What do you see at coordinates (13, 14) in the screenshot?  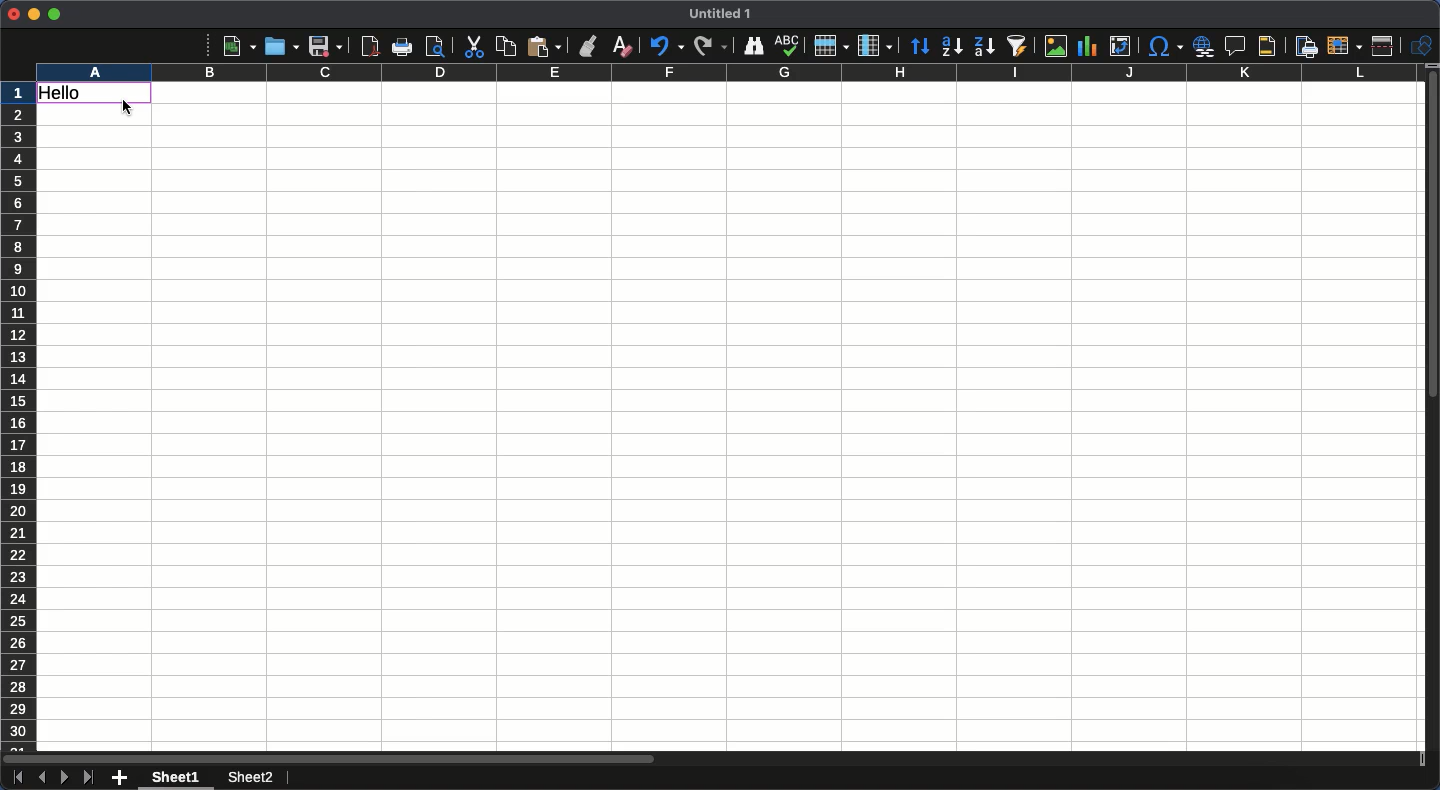 I see `Close` at bounding box center [13, 14].